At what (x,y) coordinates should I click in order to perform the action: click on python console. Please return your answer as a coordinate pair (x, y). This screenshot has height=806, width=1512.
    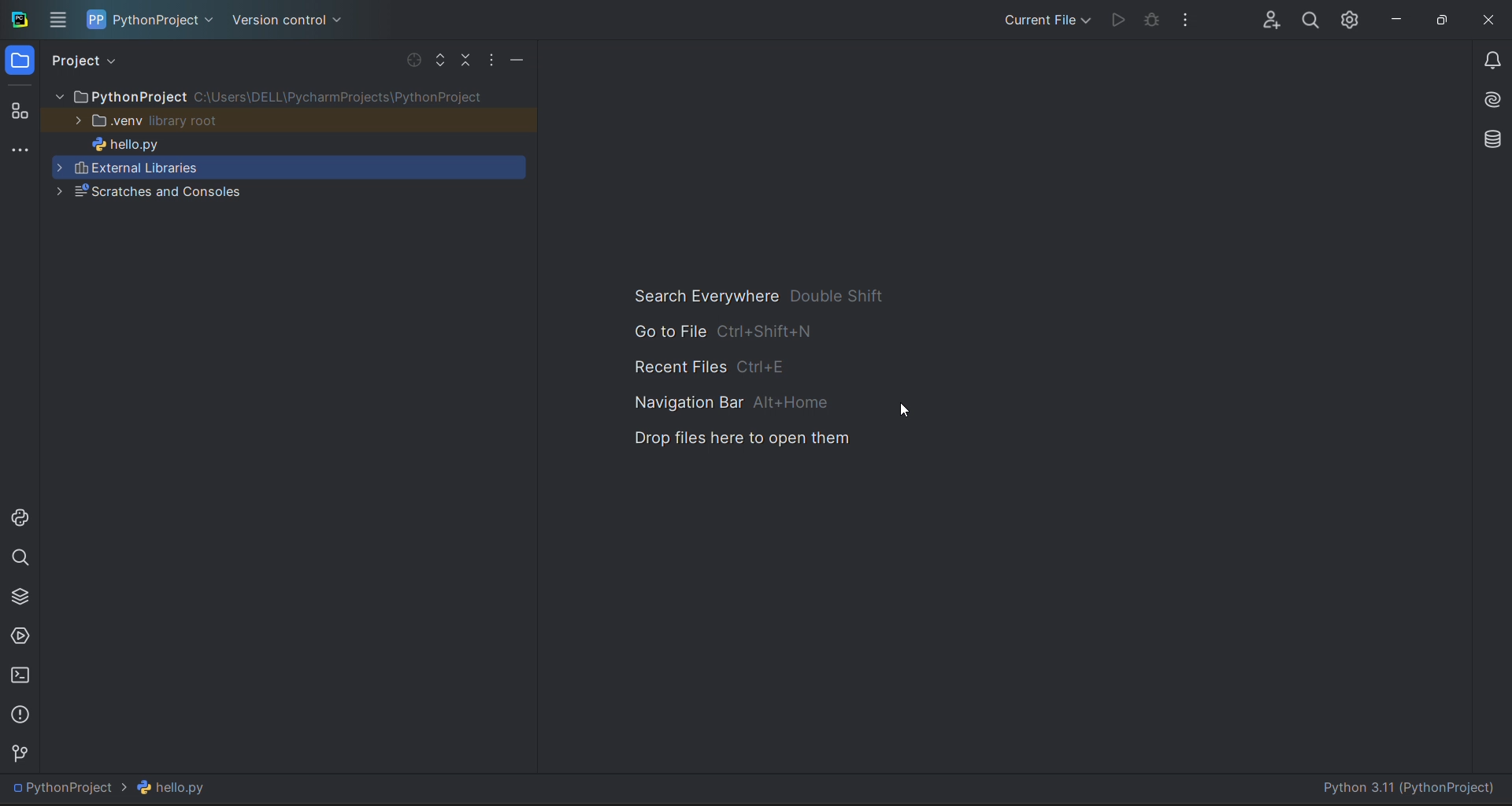
    Looking at the image, I should click on (20, 518).